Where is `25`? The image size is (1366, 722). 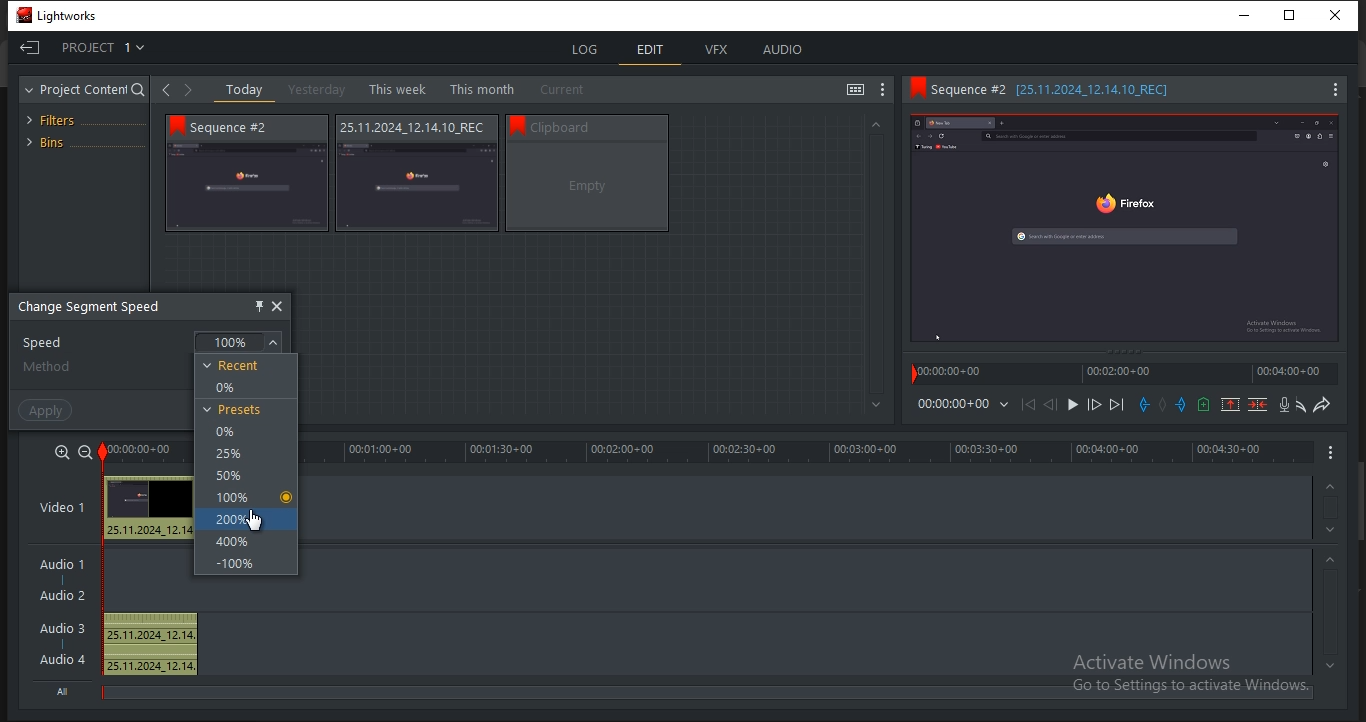 25 is located at coordinates (231, 454).